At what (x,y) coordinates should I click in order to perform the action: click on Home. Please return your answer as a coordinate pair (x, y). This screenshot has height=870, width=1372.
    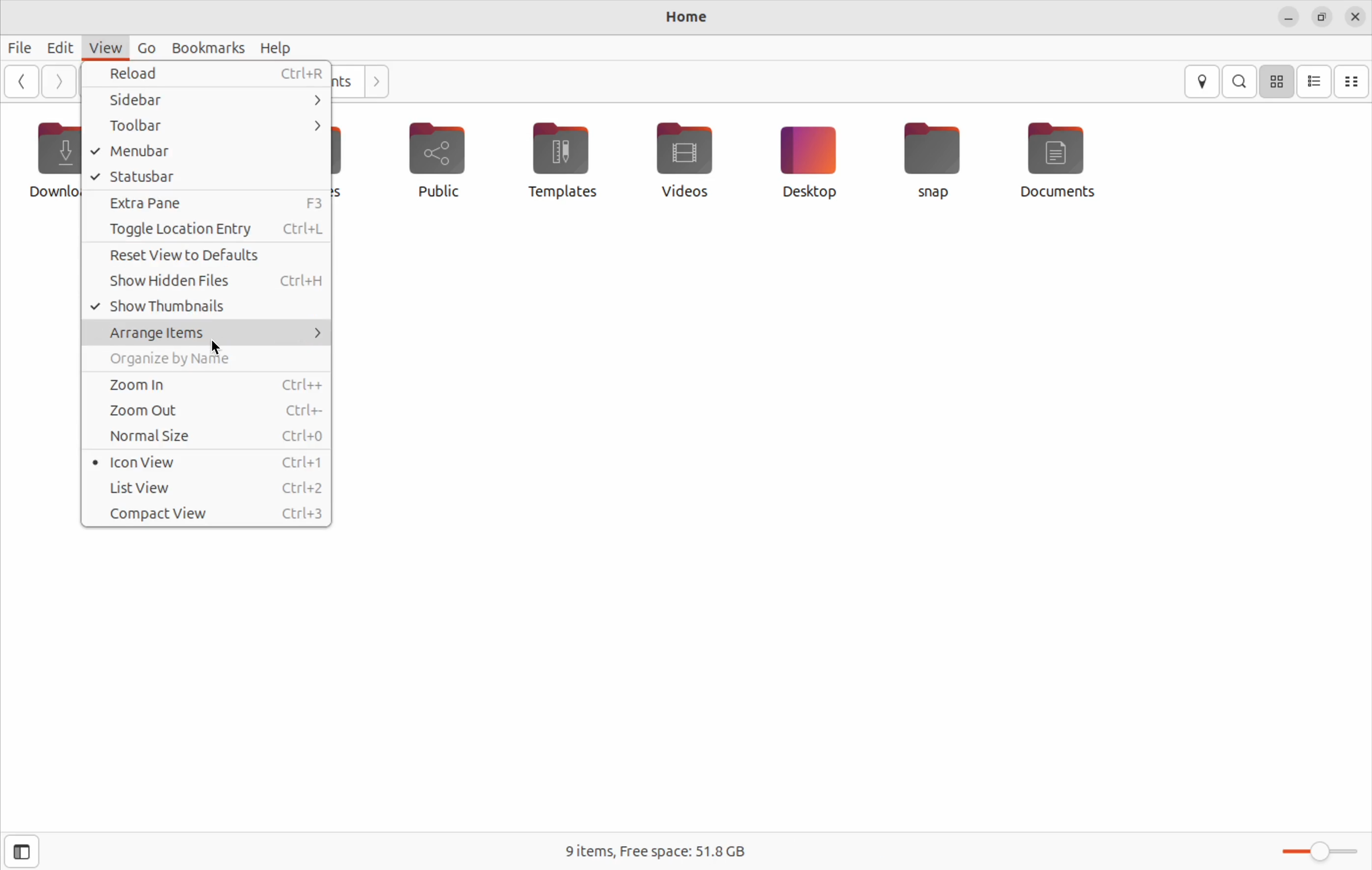
    Looking at the image, I should click on (687, 15).